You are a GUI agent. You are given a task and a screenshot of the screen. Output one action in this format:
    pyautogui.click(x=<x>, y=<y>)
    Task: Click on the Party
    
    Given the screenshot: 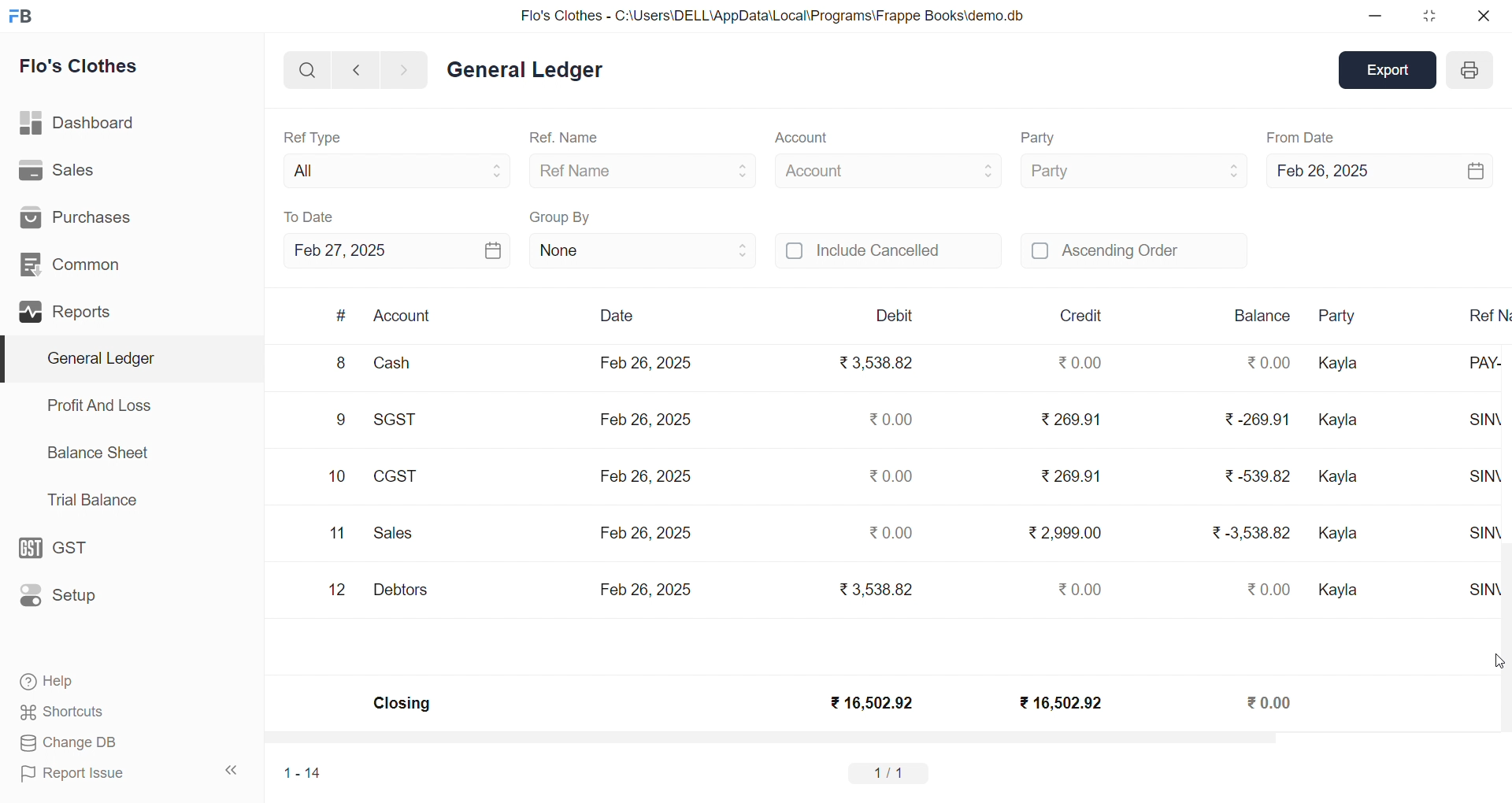 What is the action you would take?
    pyautogui.click(x=1347, y=316)
    